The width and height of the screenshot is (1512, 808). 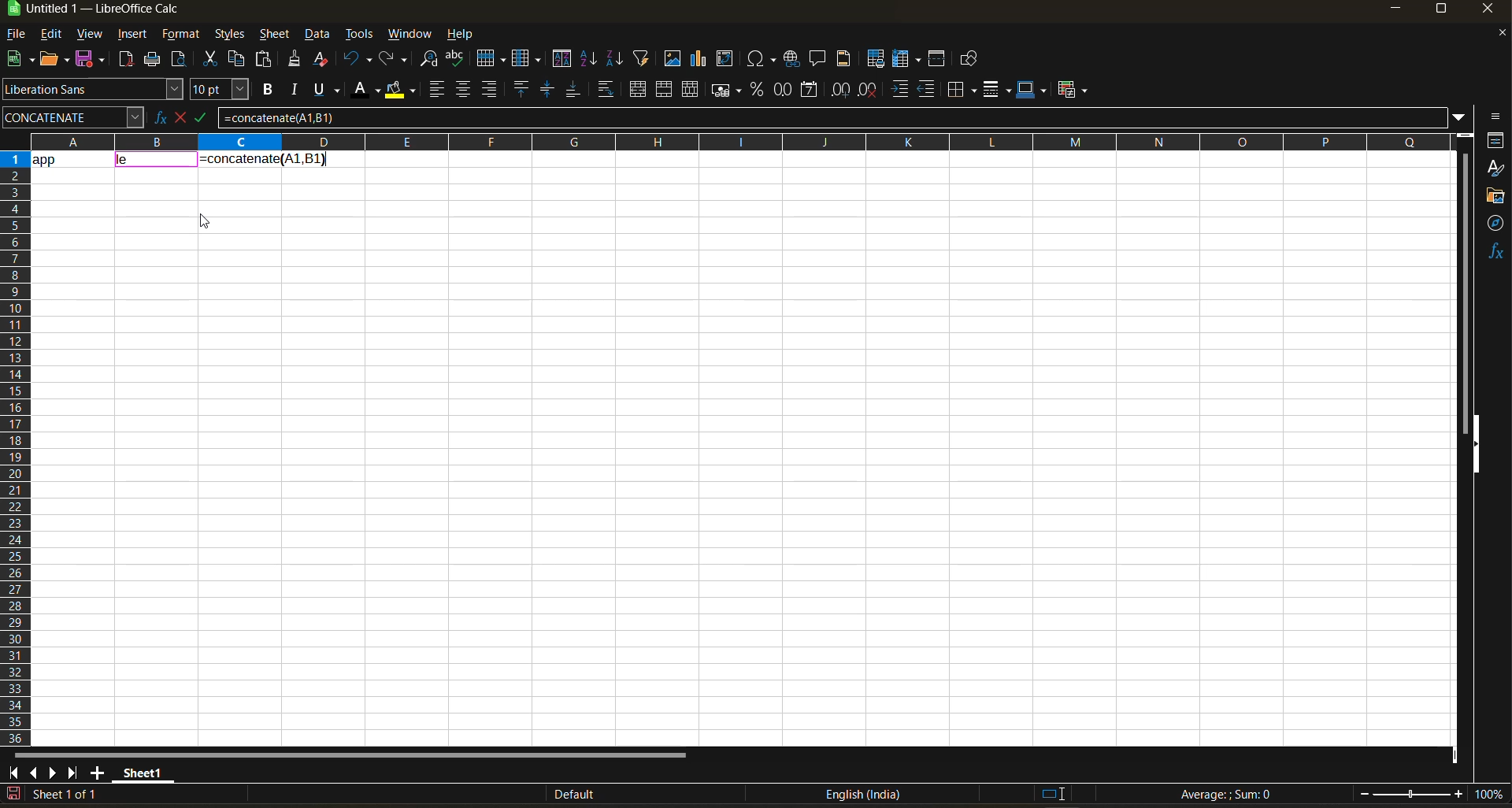 I want to click on app name and file name, so click(x=109, y=12).